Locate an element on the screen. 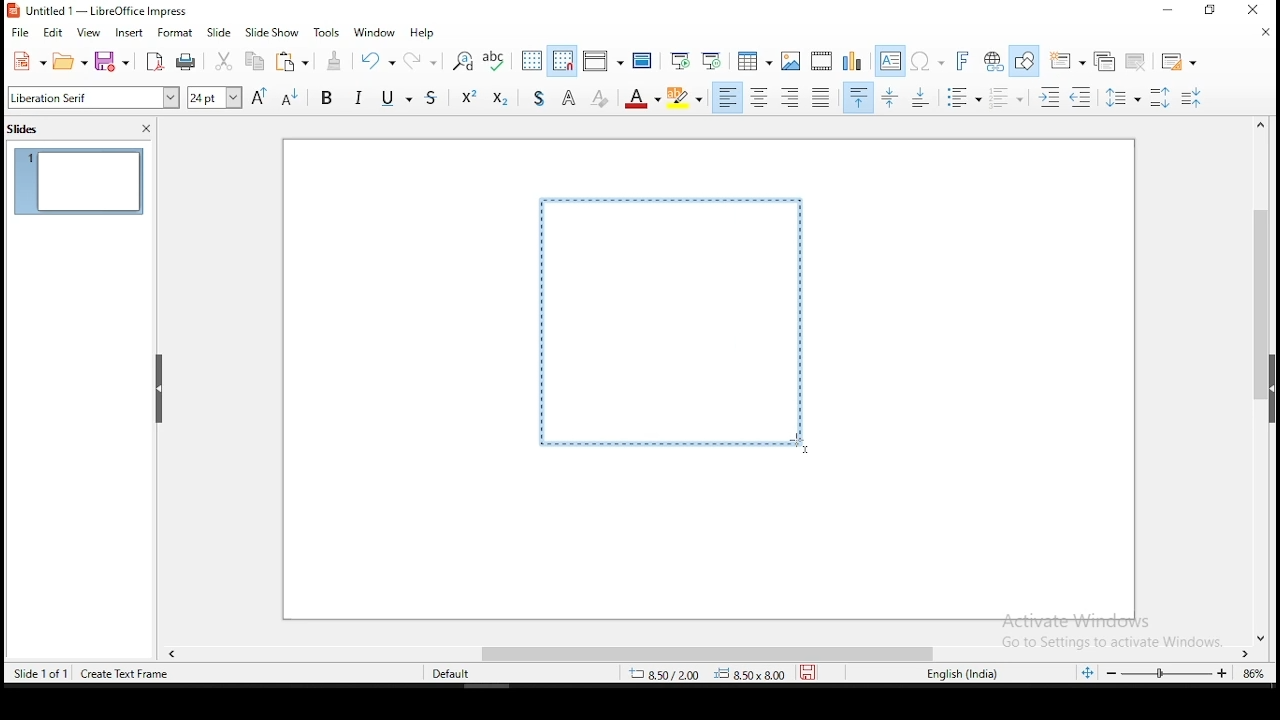 Image resolution: width=1280 pixels, height=720 pixels. toggle ordered list is located at coordinates (1004, 98).